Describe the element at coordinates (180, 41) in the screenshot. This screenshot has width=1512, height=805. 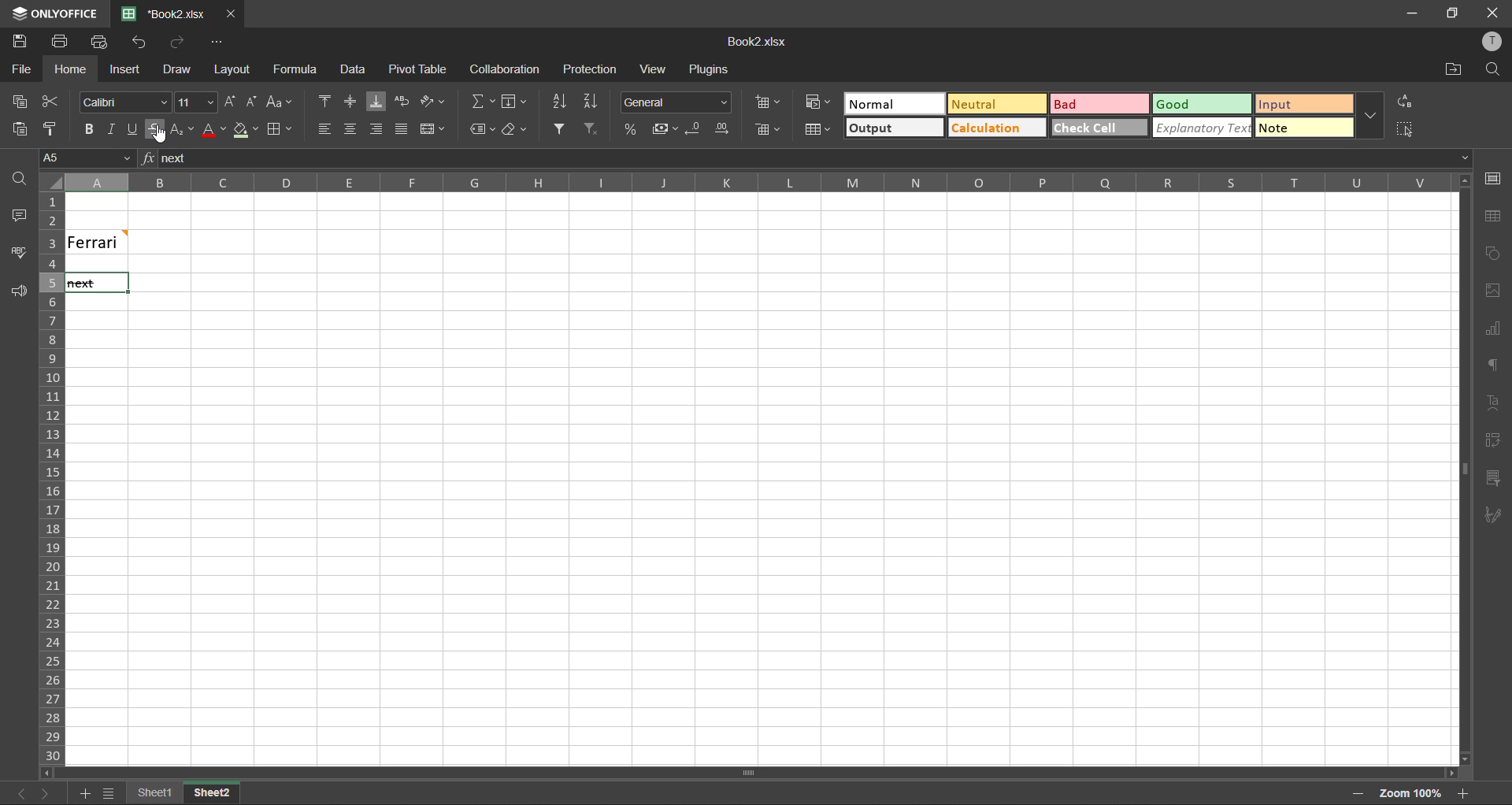
I see `redo` at that location.